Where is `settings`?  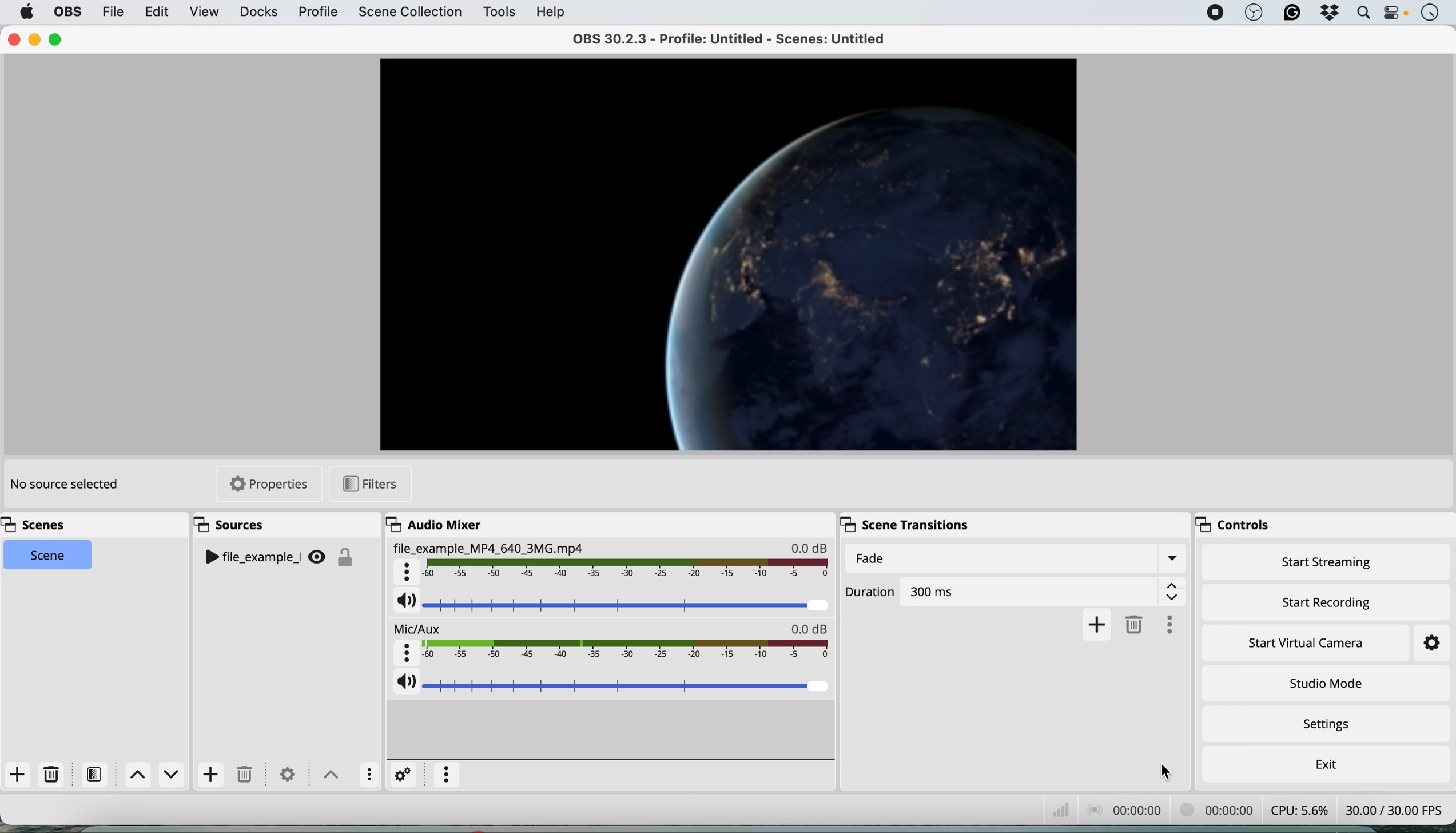 settings is located at coordinates (404, 774).